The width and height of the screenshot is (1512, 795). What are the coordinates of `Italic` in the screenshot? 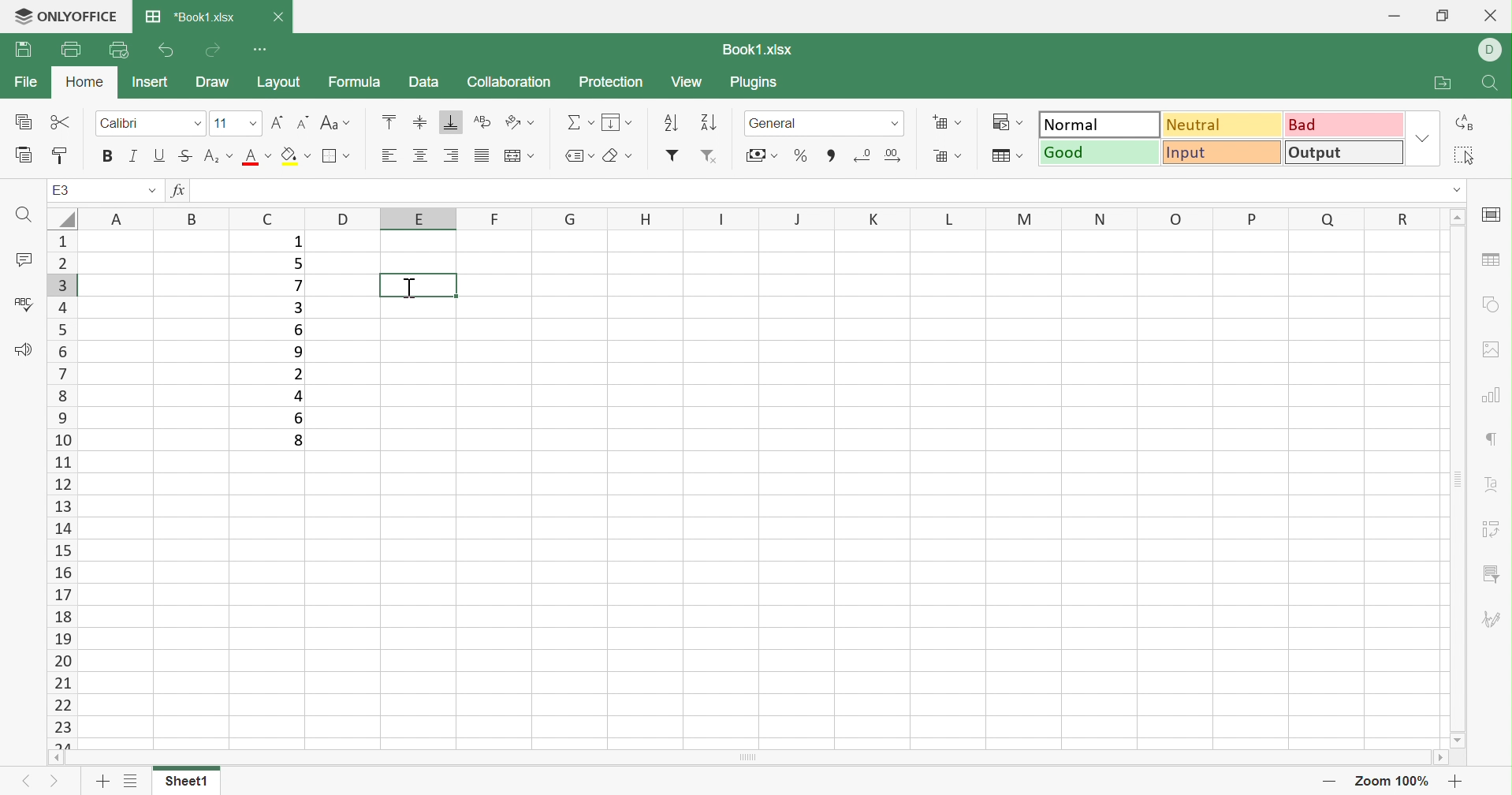 It's located at (135, 157).